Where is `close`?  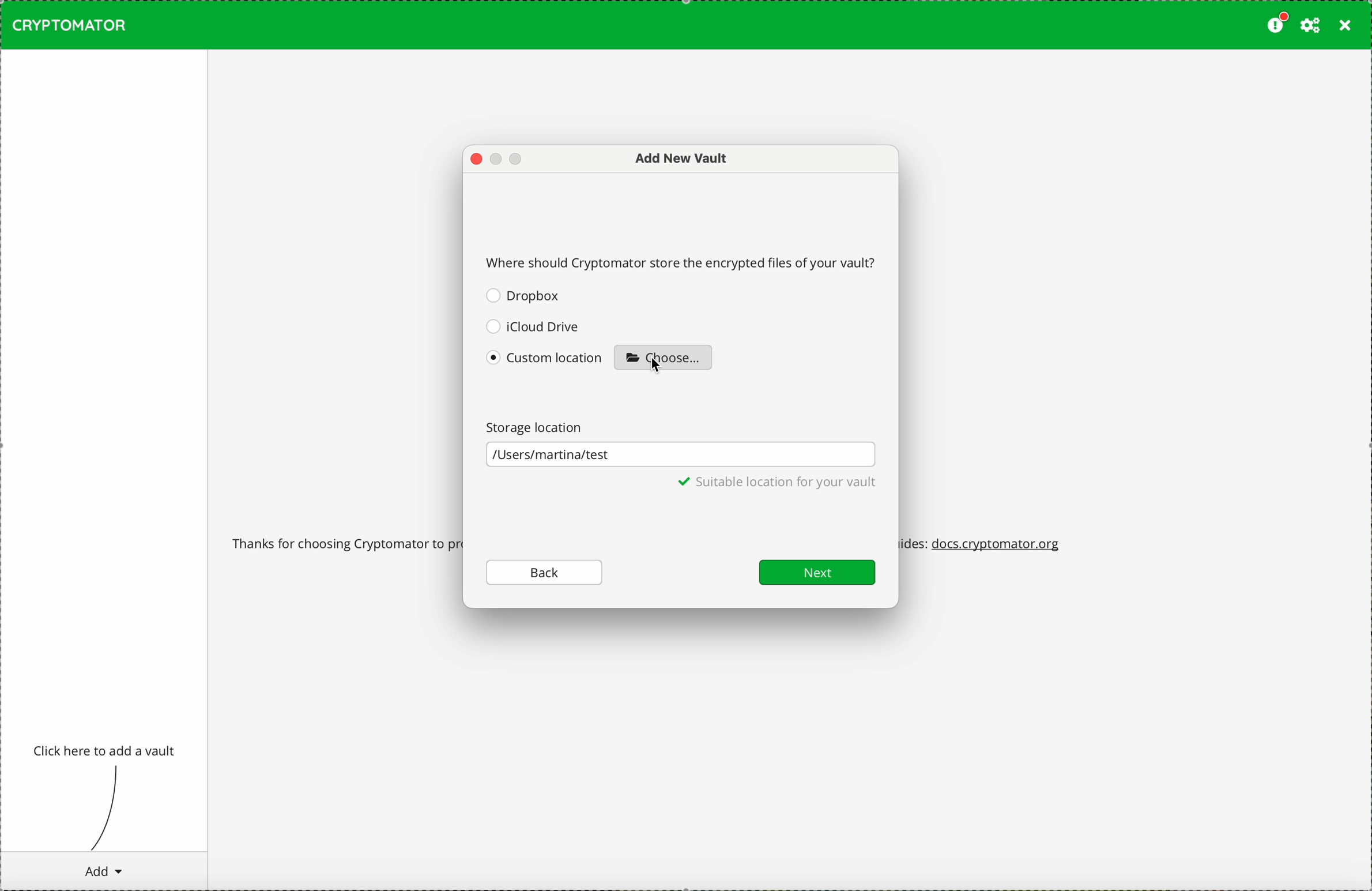 close is located at coordinates (476, 160).